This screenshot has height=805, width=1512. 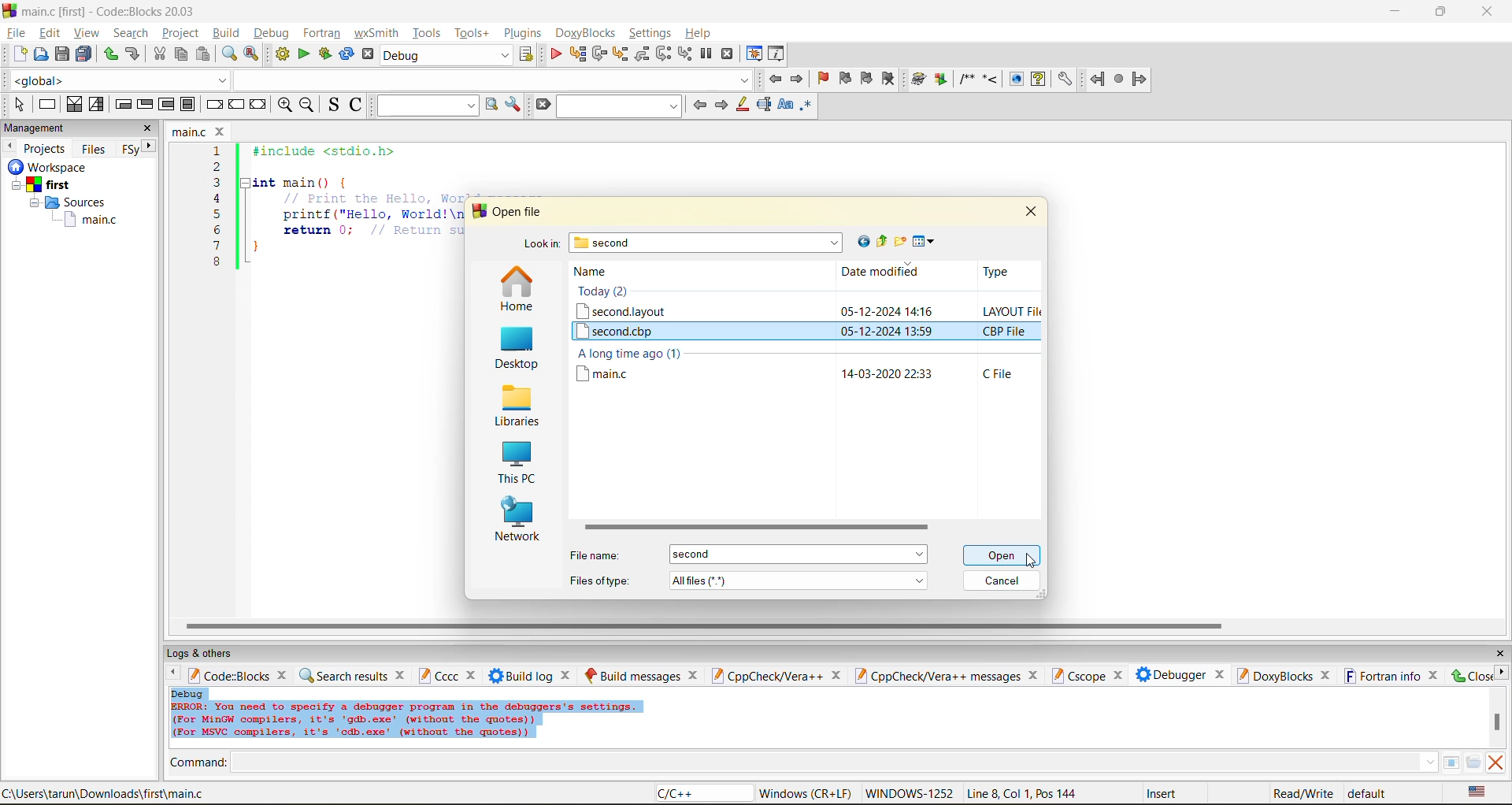 What do you see at coordinates (608, 291) in the screenshot?
I see `Today (2)` at bounding box center [608, 291].